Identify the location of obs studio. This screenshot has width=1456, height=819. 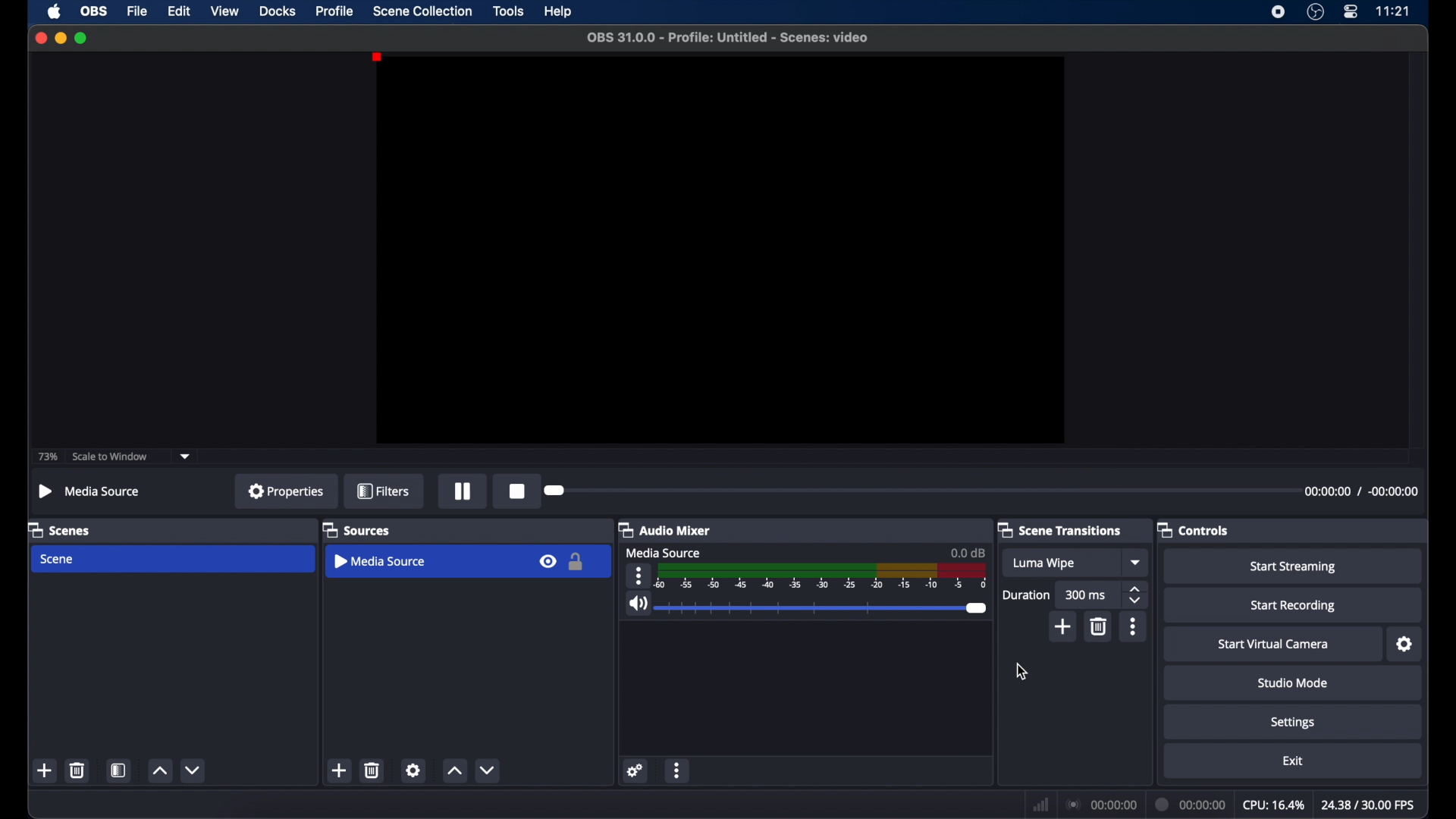
(1316, 12).